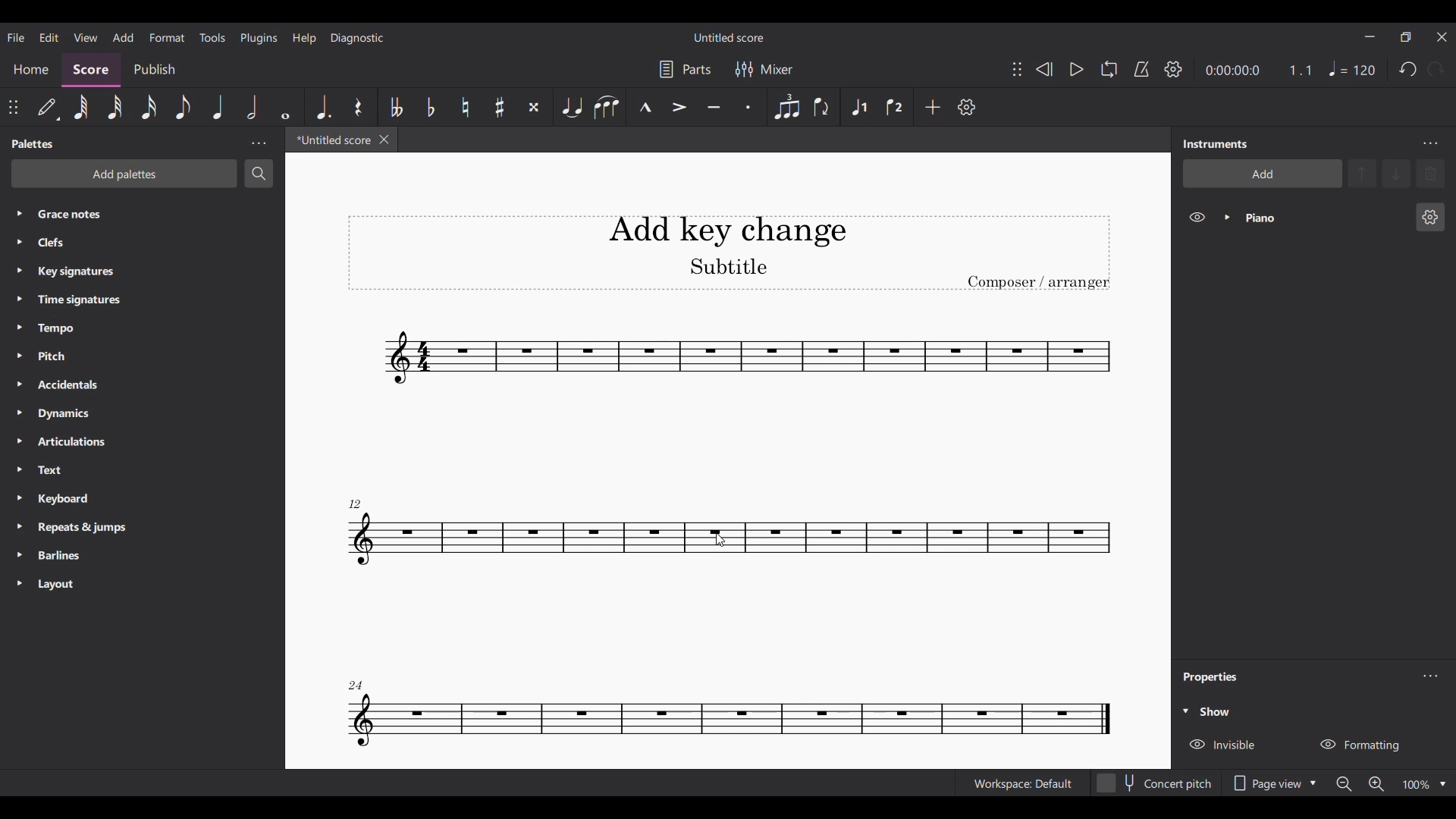  Describe the element at coordinates (1363, 174) in the screenshot. I see `Move up` at that location.